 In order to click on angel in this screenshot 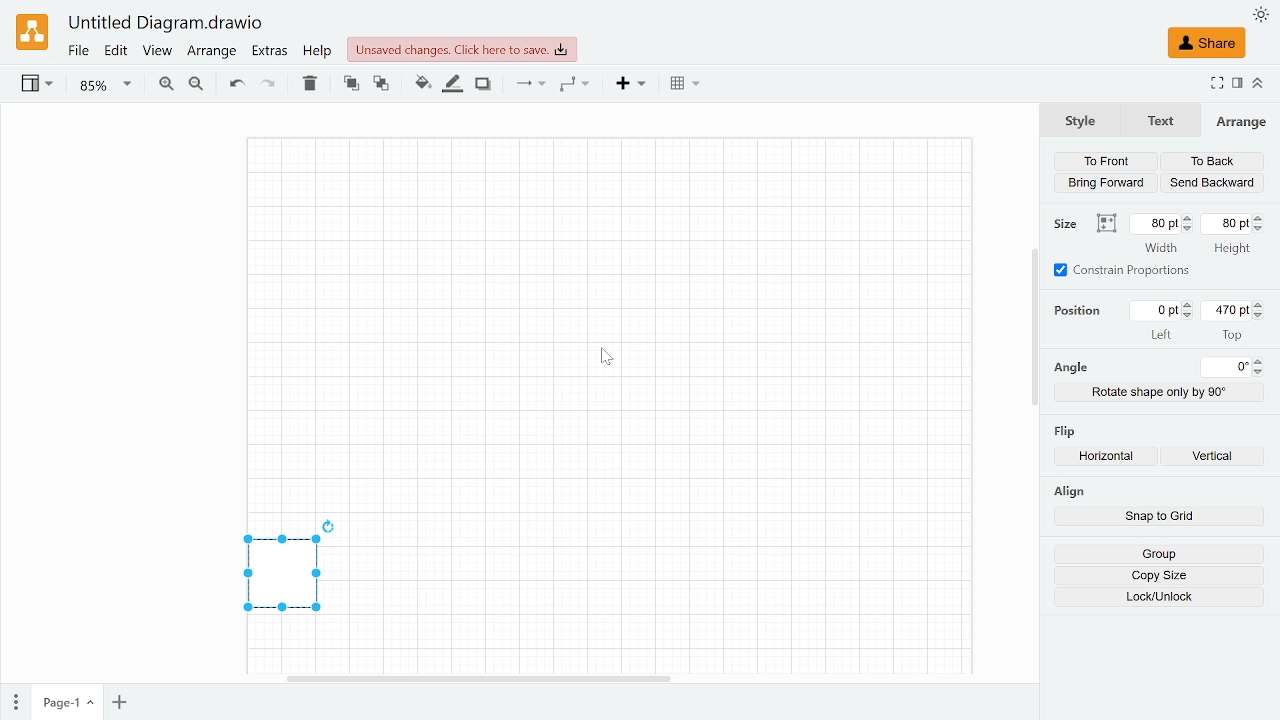, I will do `click(1070, 368)`.